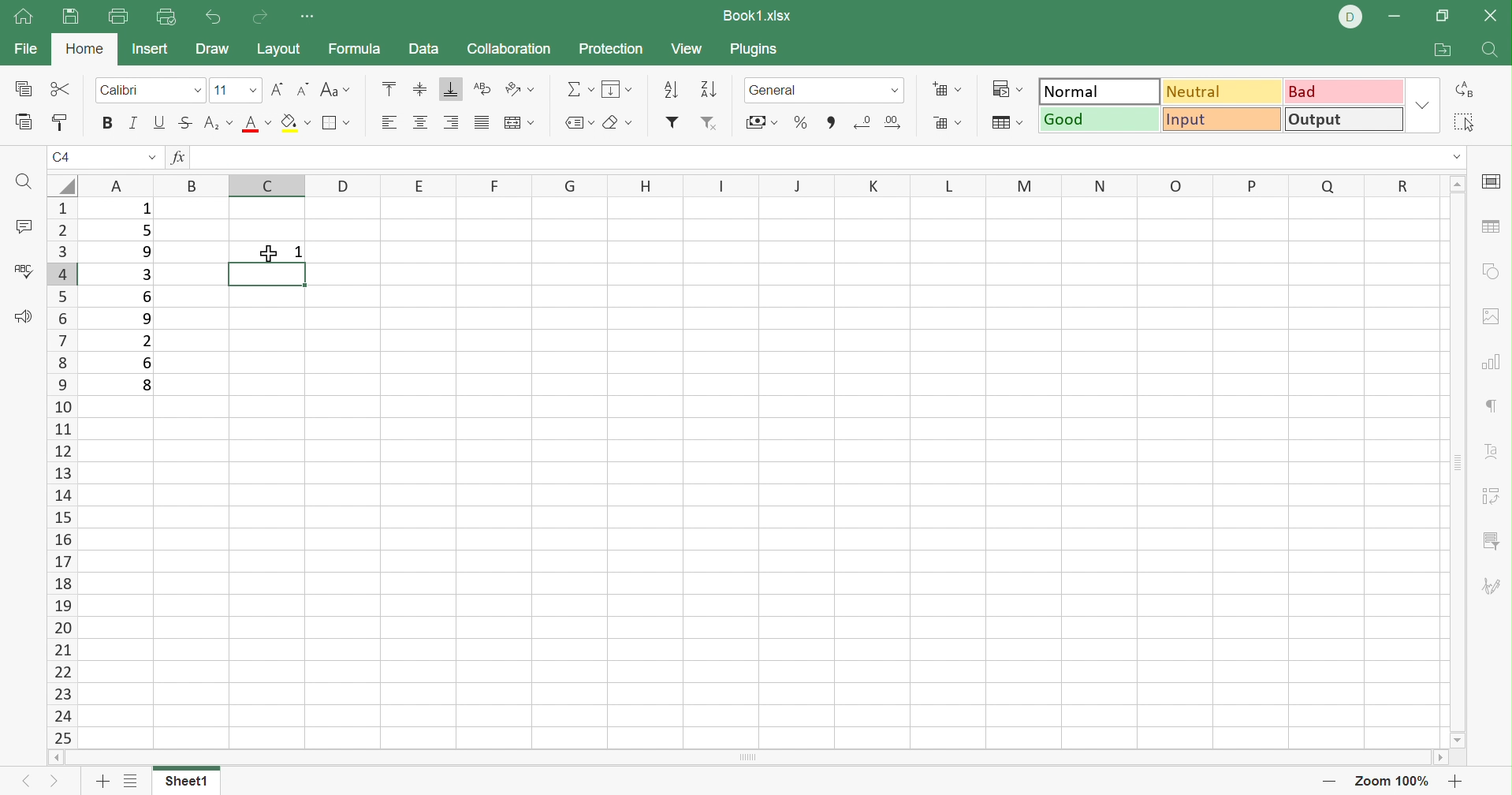 The image size is (1512, 795). Describe the element at coordinates (948, 90) in the screenshot. I see `Insert cells` at that location.